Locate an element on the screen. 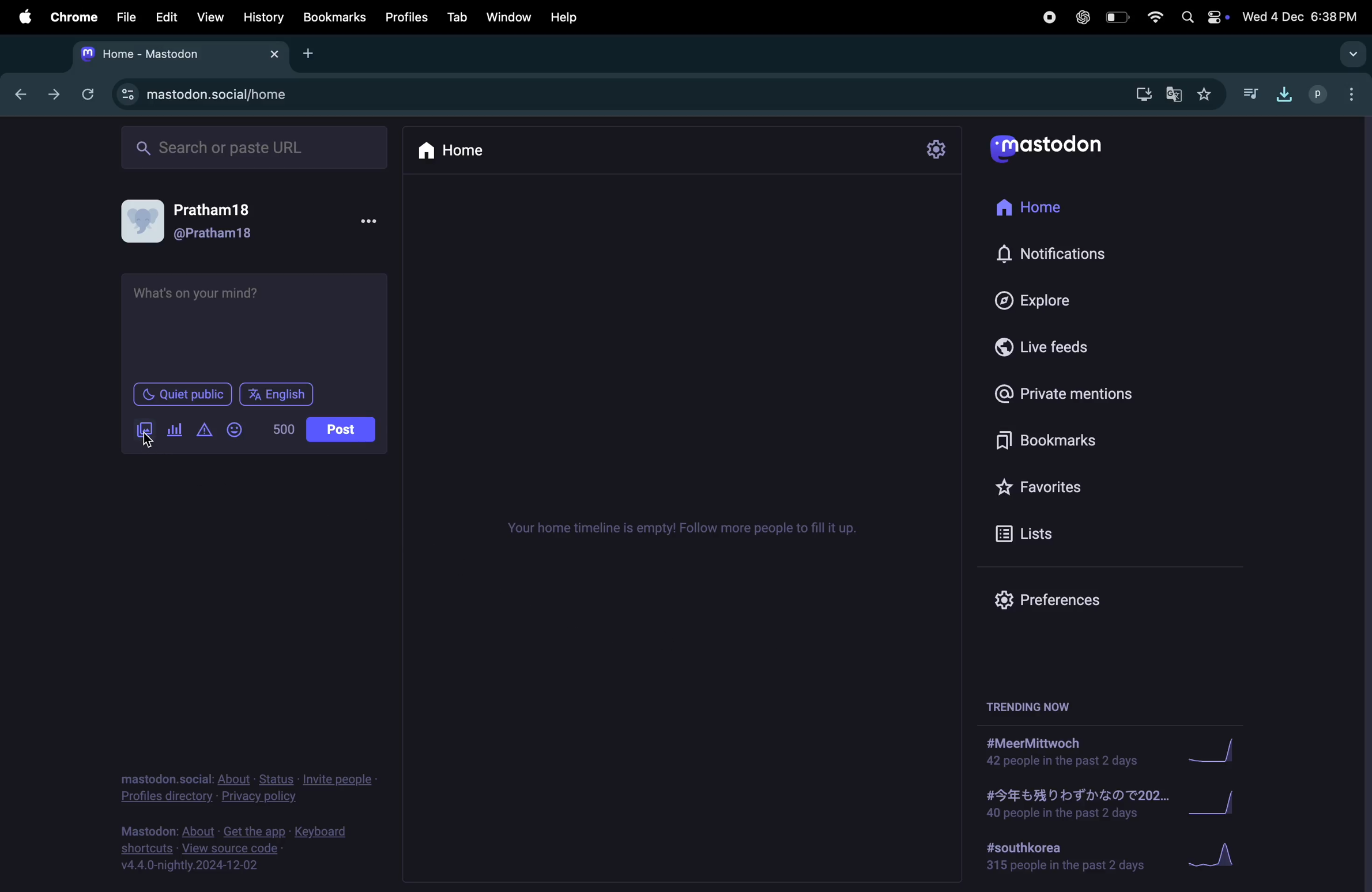 Image resolution: width=1372 pixels, height=892 pixels. live feeds is located at coordinates (1045, 349).